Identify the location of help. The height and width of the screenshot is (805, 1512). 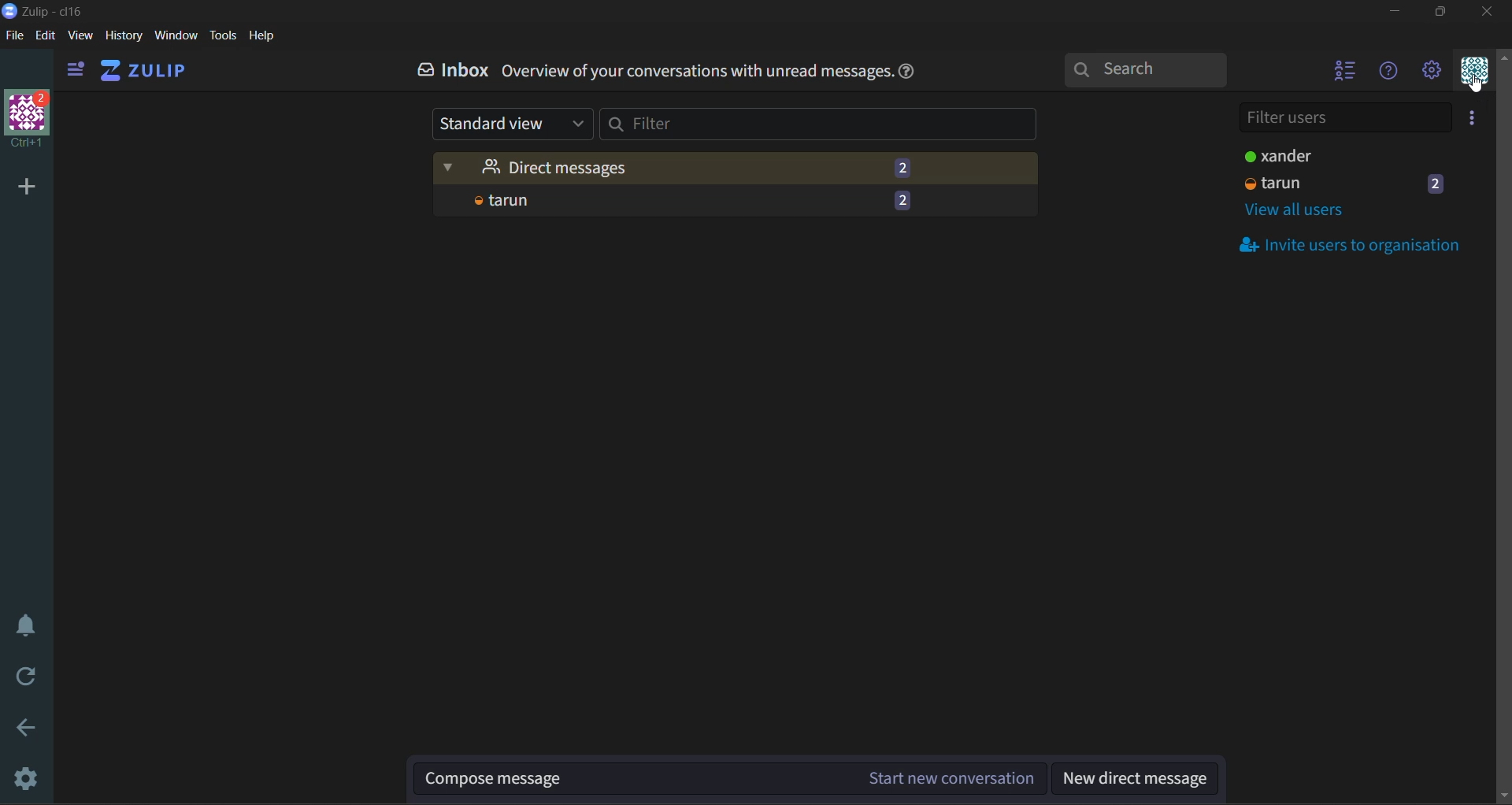
(263, 36).